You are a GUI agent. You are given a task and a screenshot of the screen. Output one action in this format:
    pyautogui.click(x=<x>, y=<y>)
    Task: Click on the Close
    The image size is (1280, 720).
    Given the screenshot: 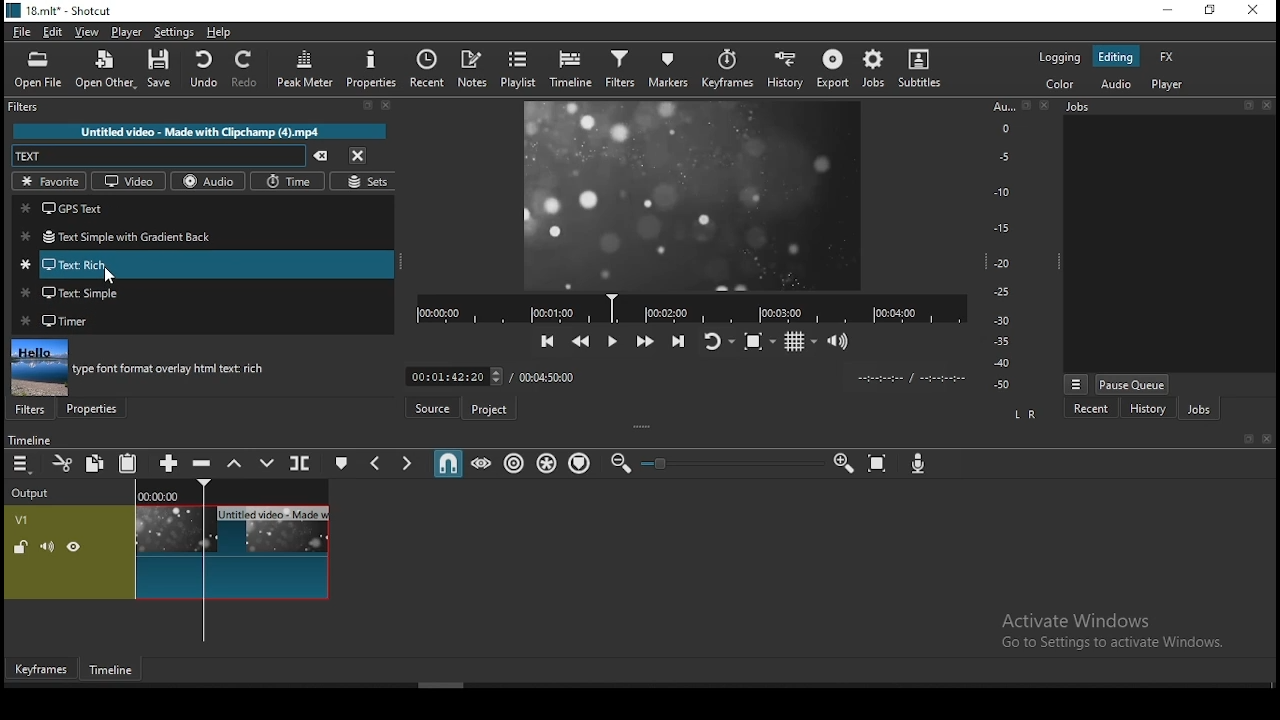 What is the action you would take?
    pyautogui.click(x=1045, y=104)
    